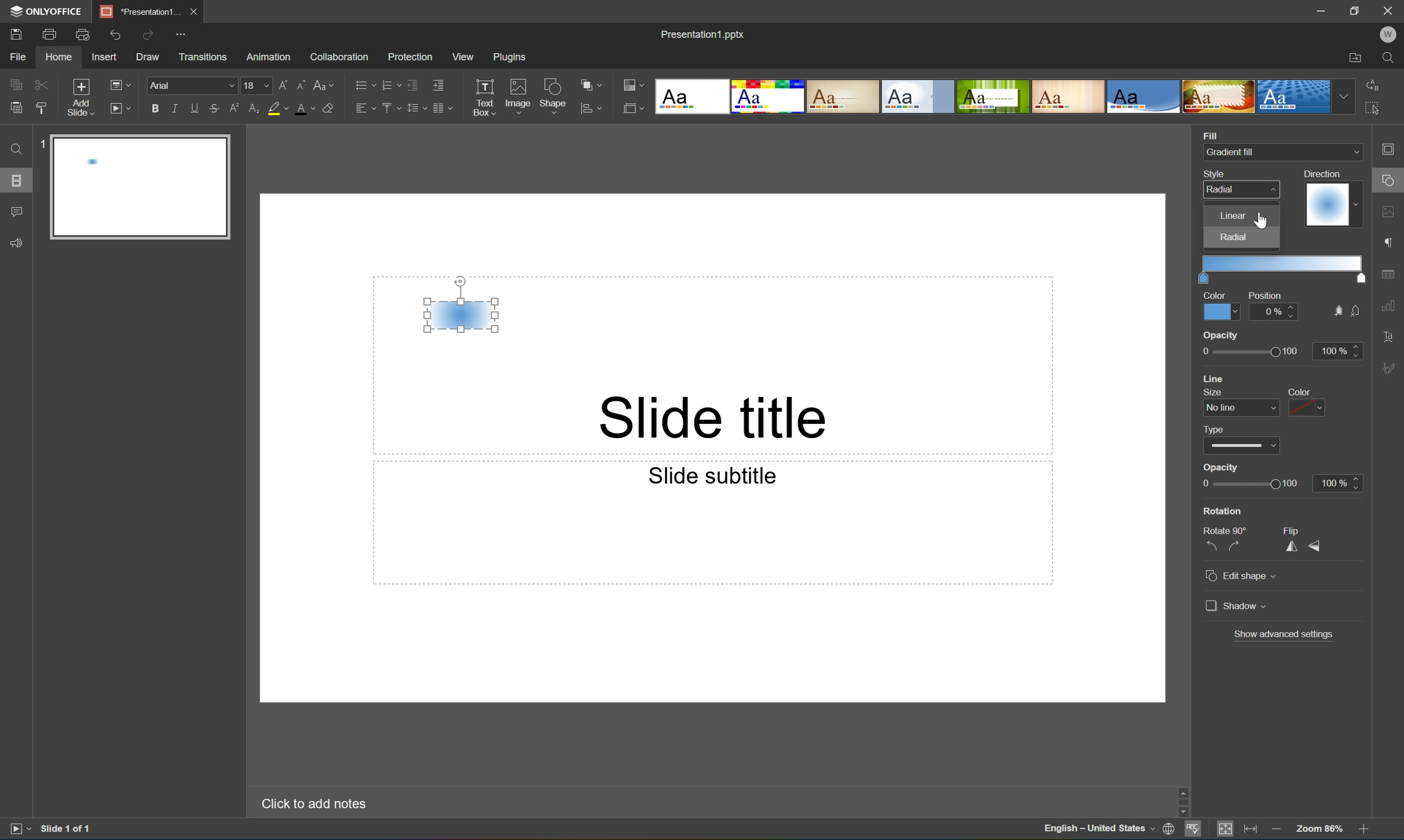  What do you see at coordinates (1294, 530) in the screenshot?
I see `Flip` at bounding box center [1294, 530].